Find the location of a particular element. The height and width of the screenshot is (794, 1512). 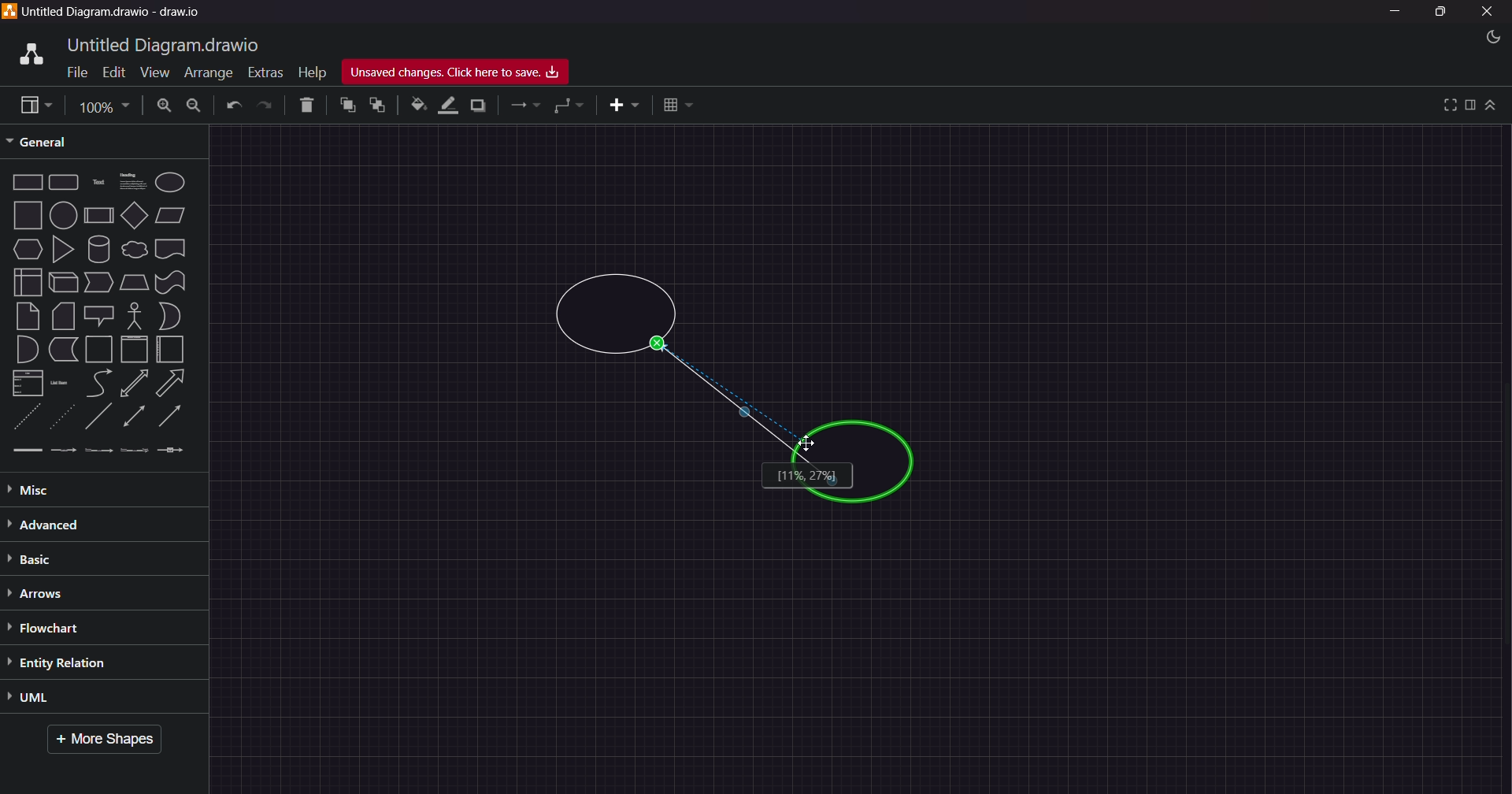

Shapes is located at coordinates (100, 315).